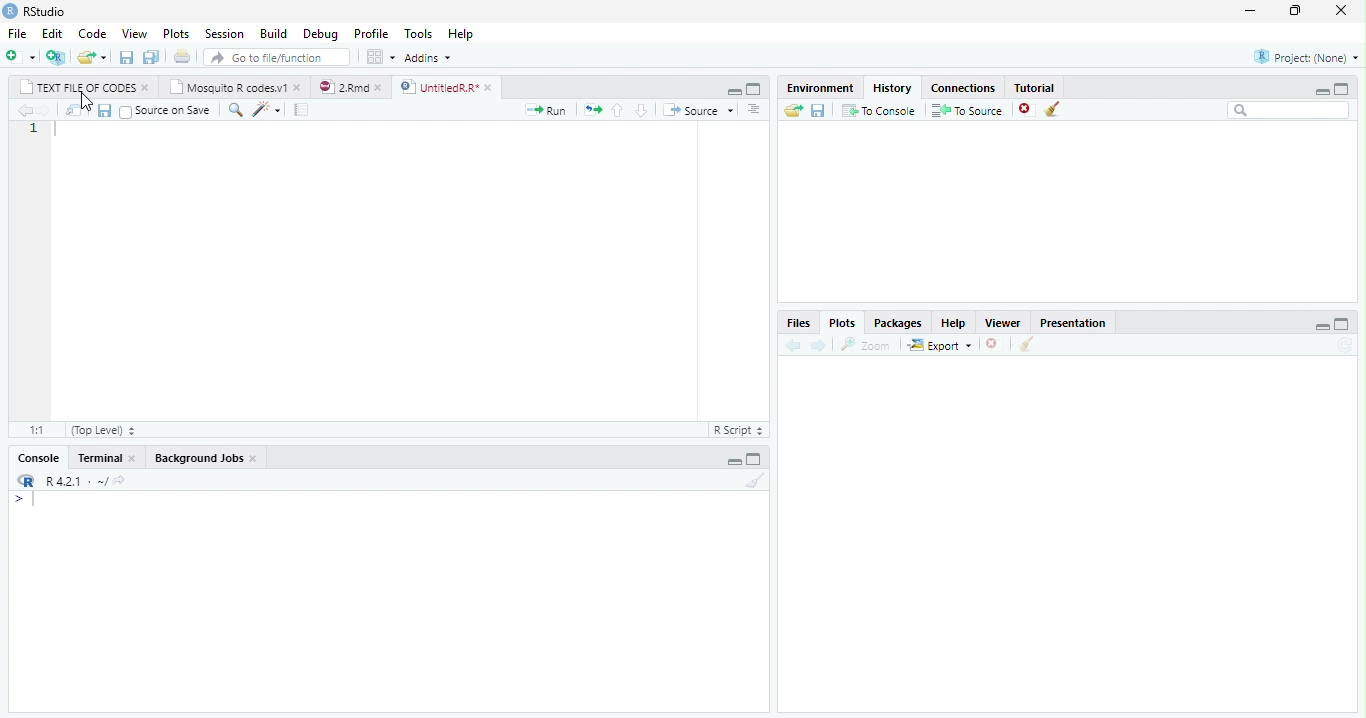 This screenshot has height=718, width=1366. Describe the element at coordinates (877, 110) in the screenshot. I see `to console : send the selected commands to the R console` at that location.